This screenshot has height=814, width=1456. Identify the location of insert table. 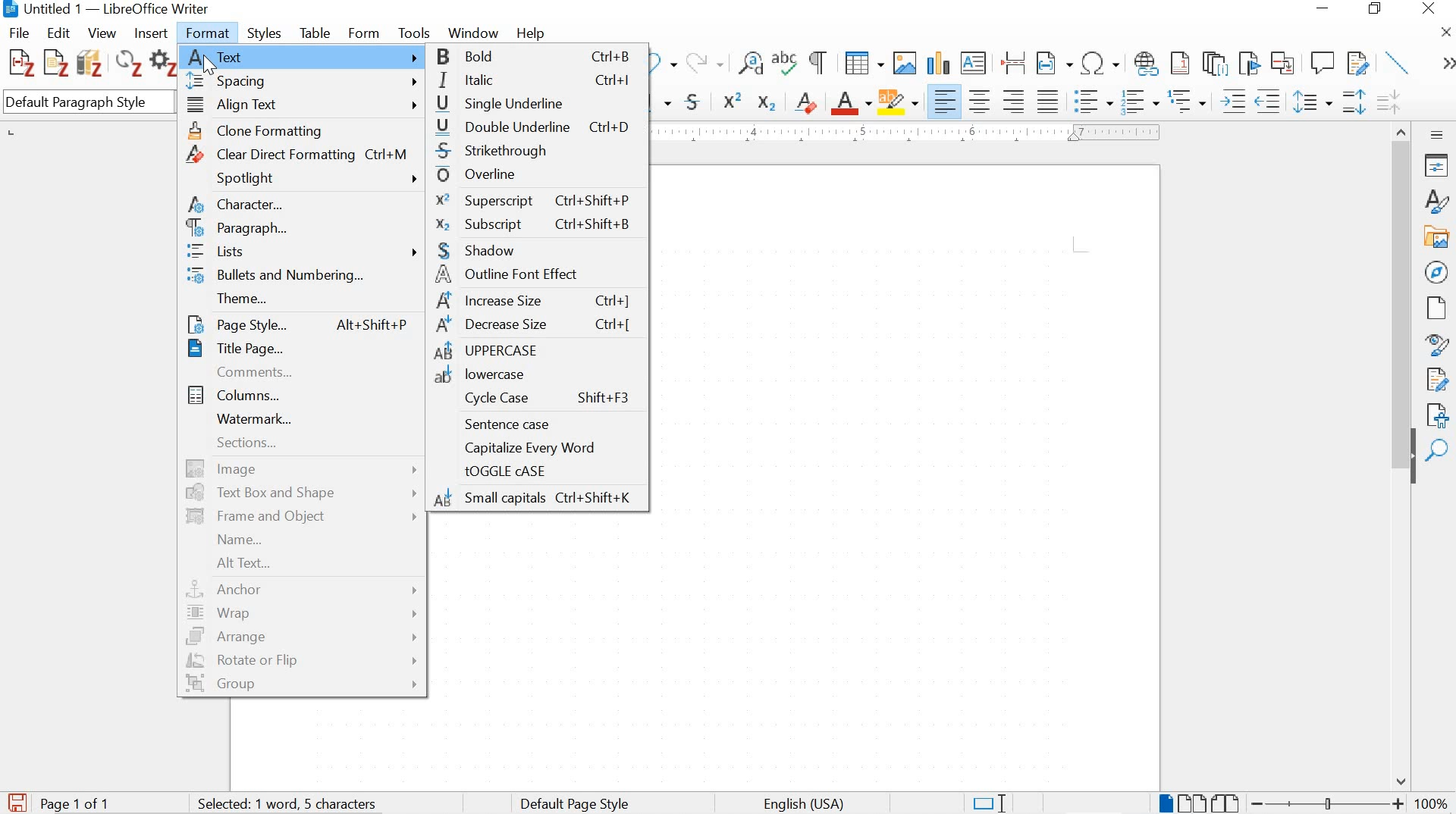
(864, 64).